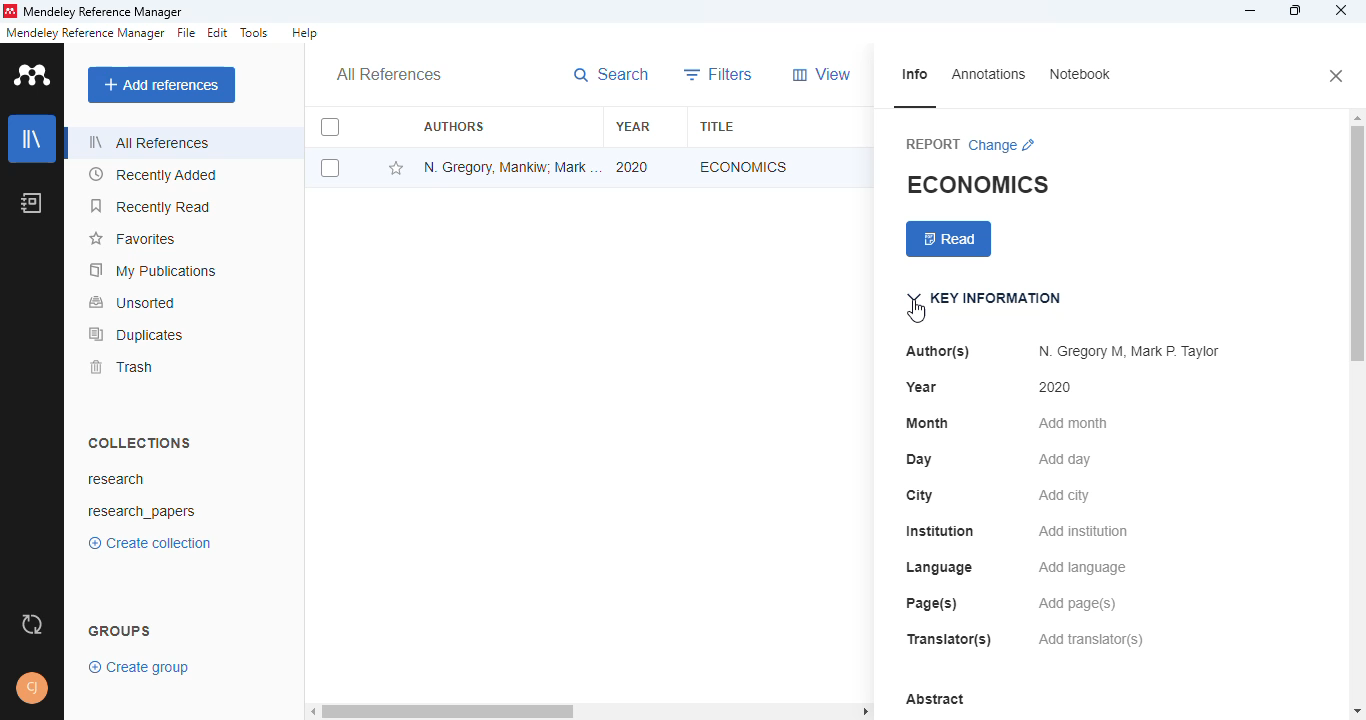 The height and width of the screenshot is (720, 1366). I want to click on tools, so click(256, 33).